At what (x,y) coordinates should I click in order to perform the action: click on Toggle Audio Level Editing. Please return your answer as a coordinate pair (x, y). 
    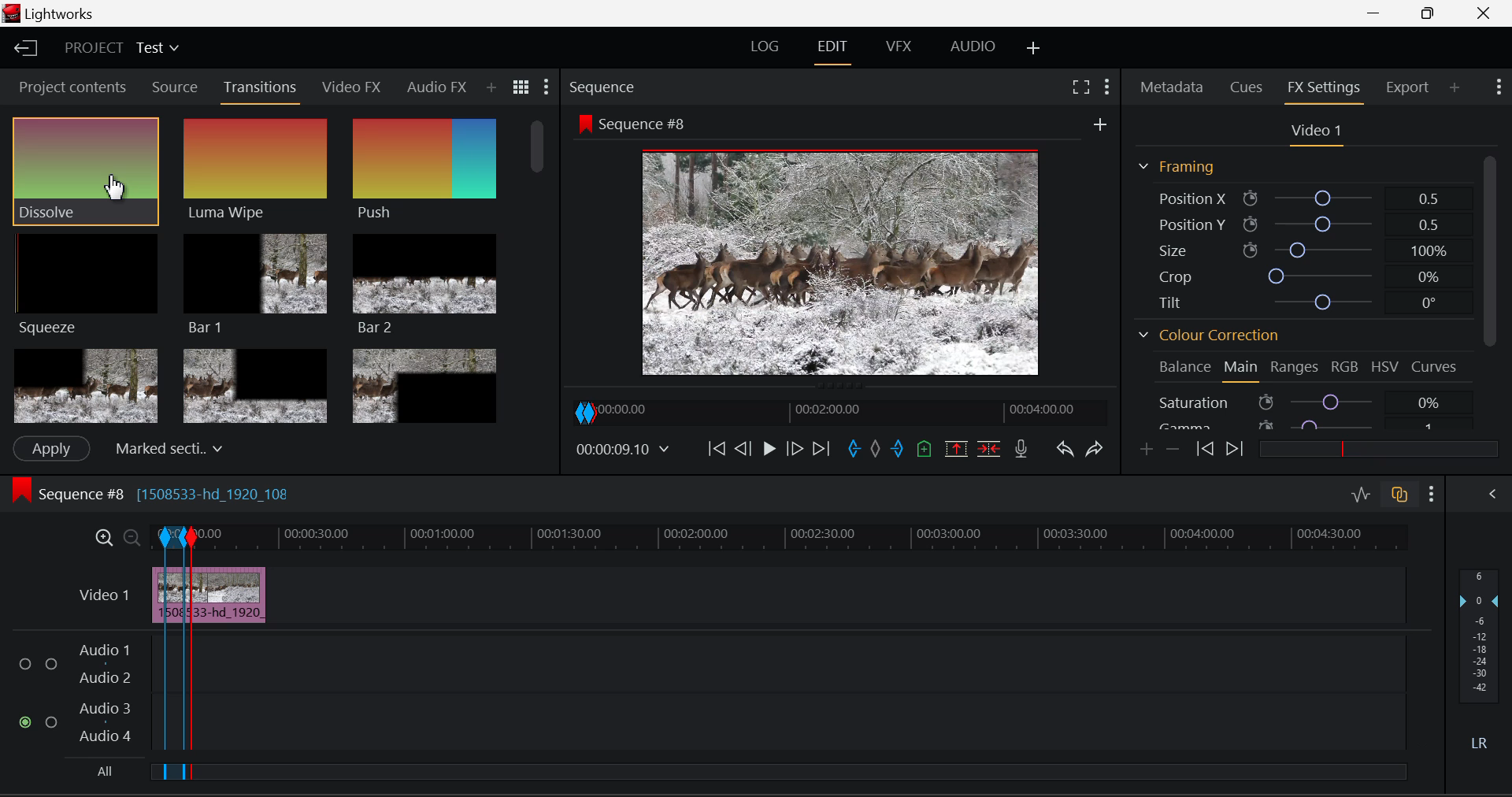
    Looking at the image, I should click on (1362, 496).